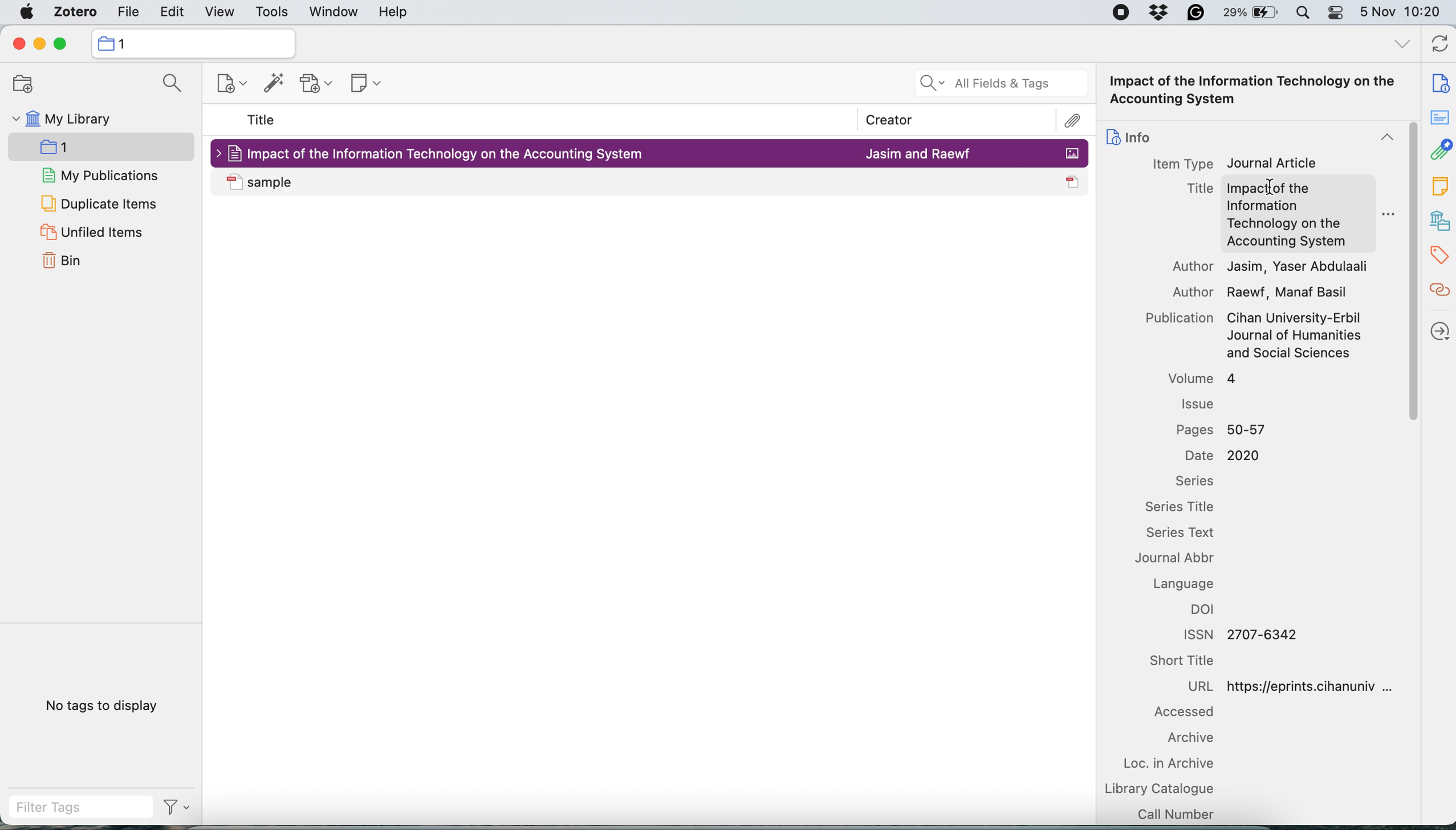 Image resolution: width=1456 pixels, height=830 pixels. Describe the element at coordinates (25, 13) in the screenshot. I see `system logo` at that location.